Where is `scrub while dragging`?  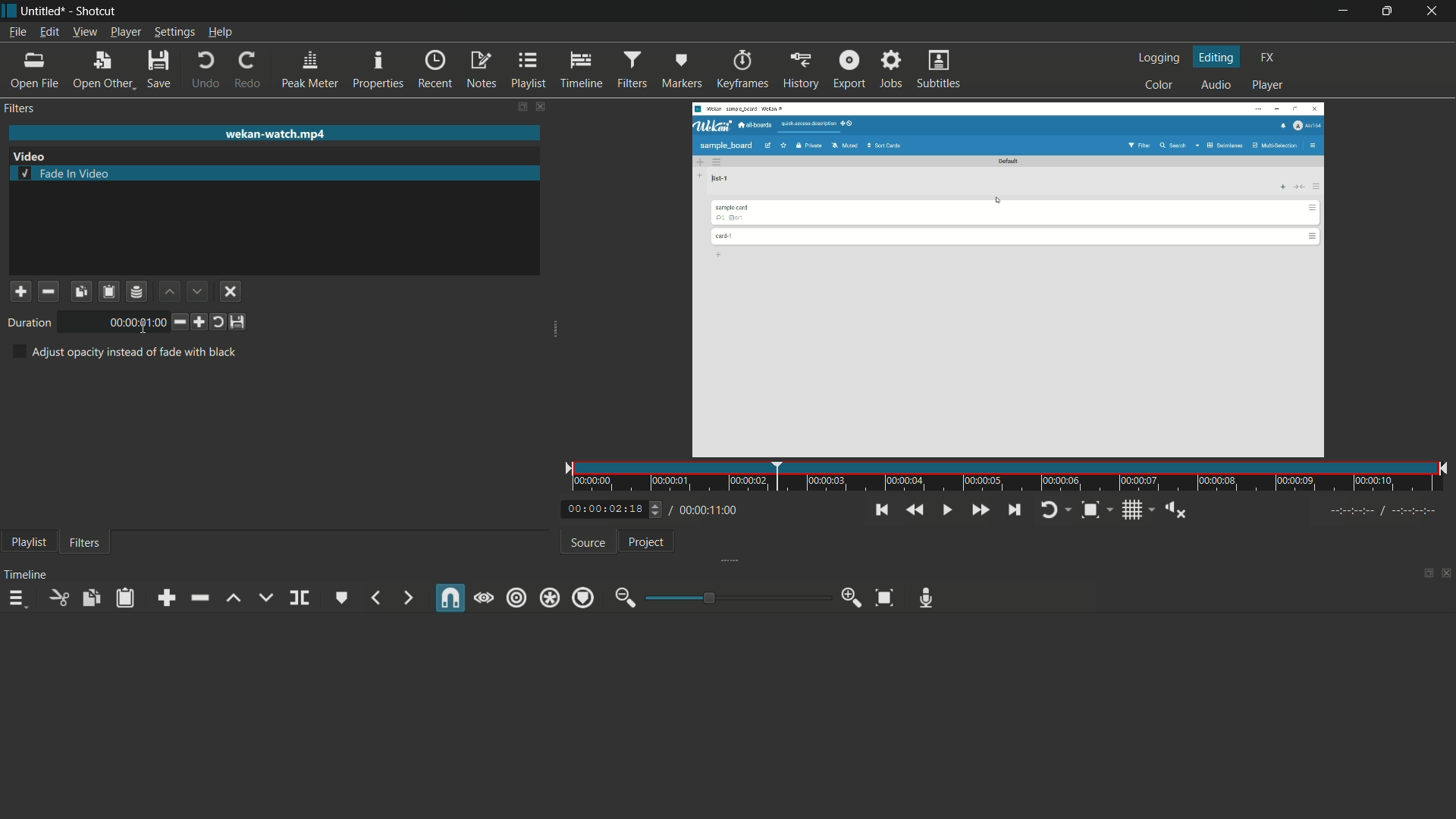 scrub while dragging is located at coordinates (483, 598).